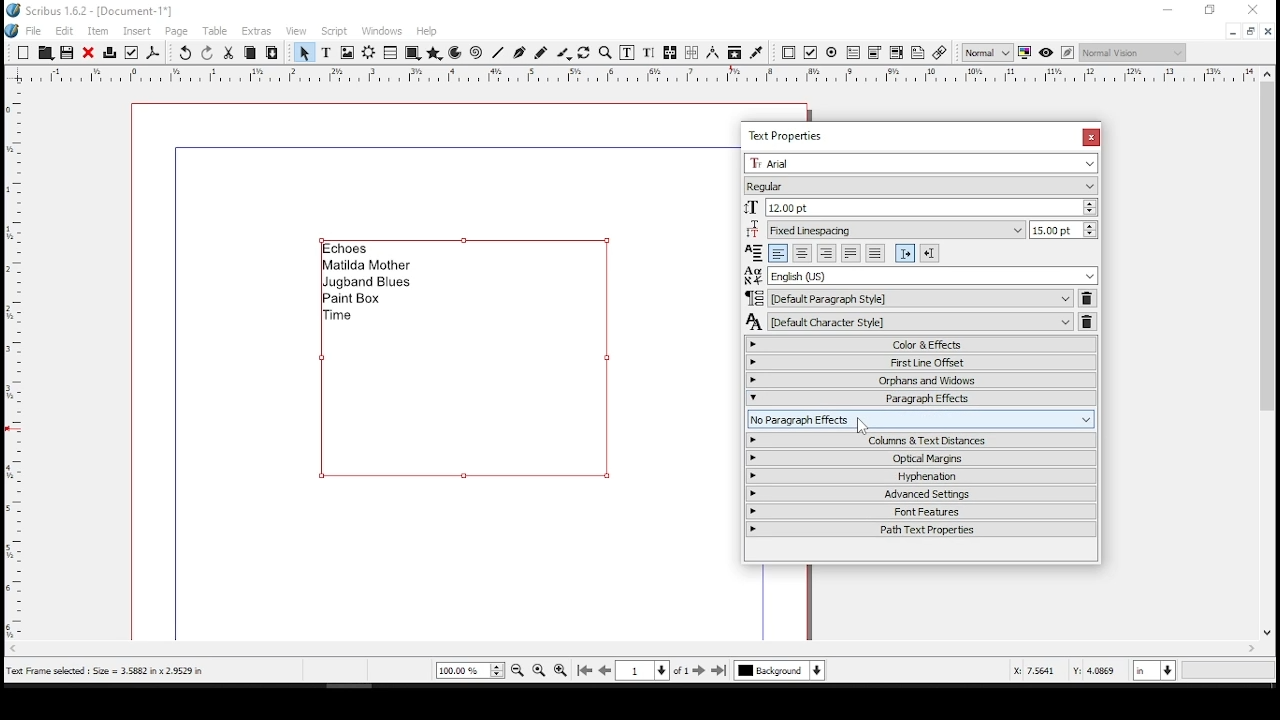 The width and height of the screenshot is (1280, 720). I want to click on copy, so click(251, 52).